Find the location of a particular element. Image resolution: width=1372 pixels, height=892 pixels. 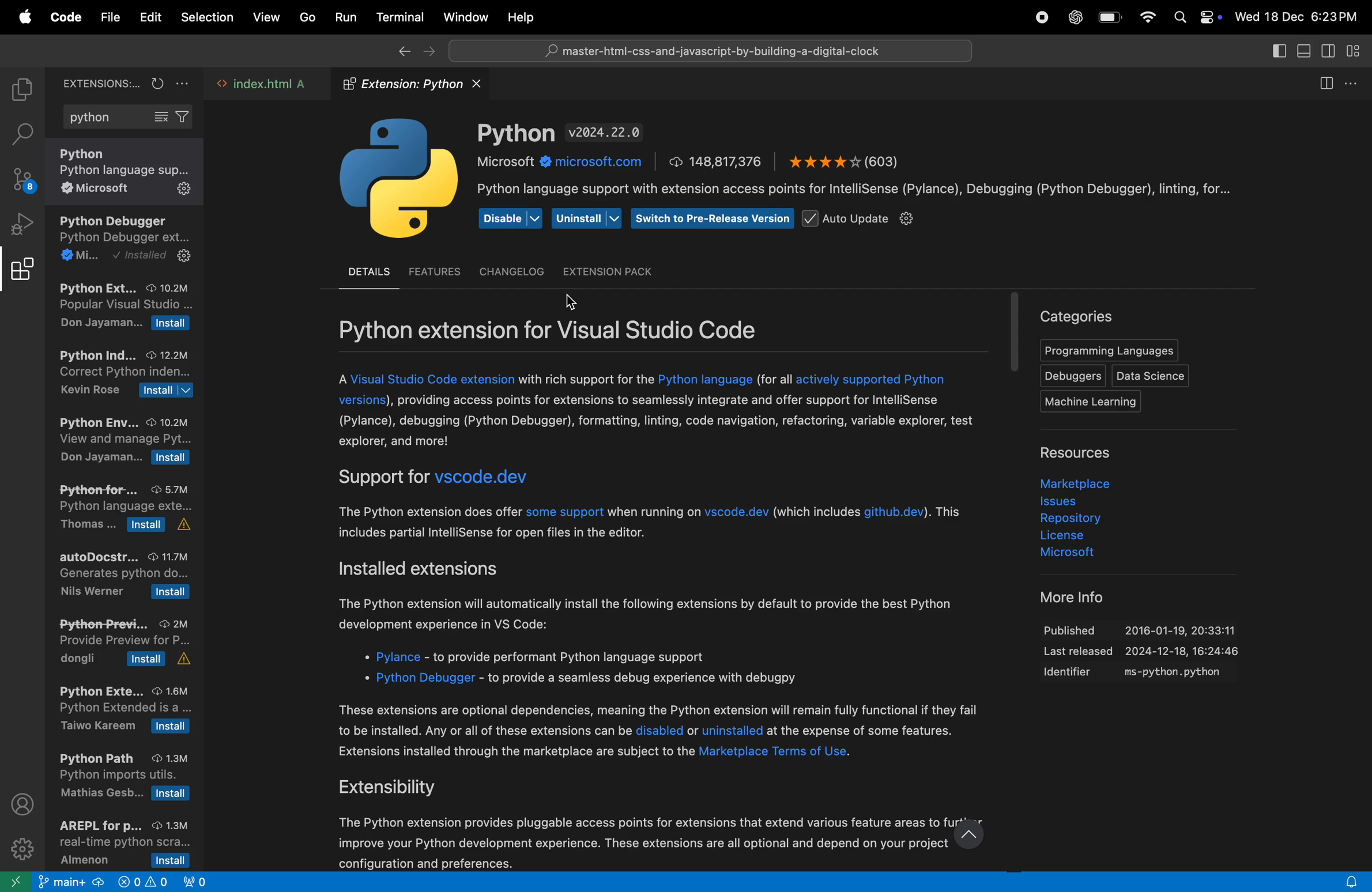

toggle panel is located at coordinates (1305, 52).